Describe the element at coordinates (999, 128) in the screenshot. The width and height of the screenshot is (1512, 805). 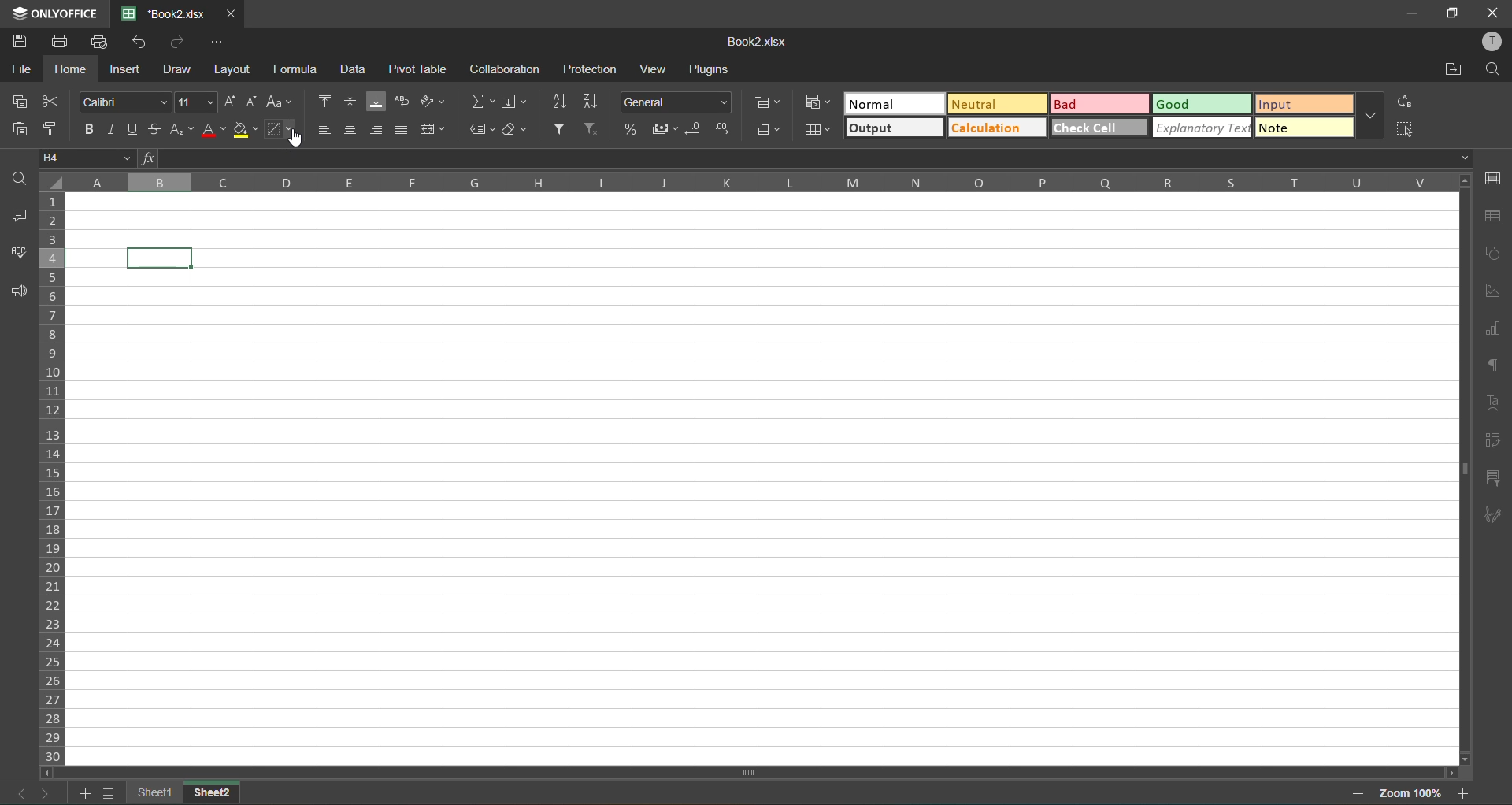
I see `calculation` at that location.